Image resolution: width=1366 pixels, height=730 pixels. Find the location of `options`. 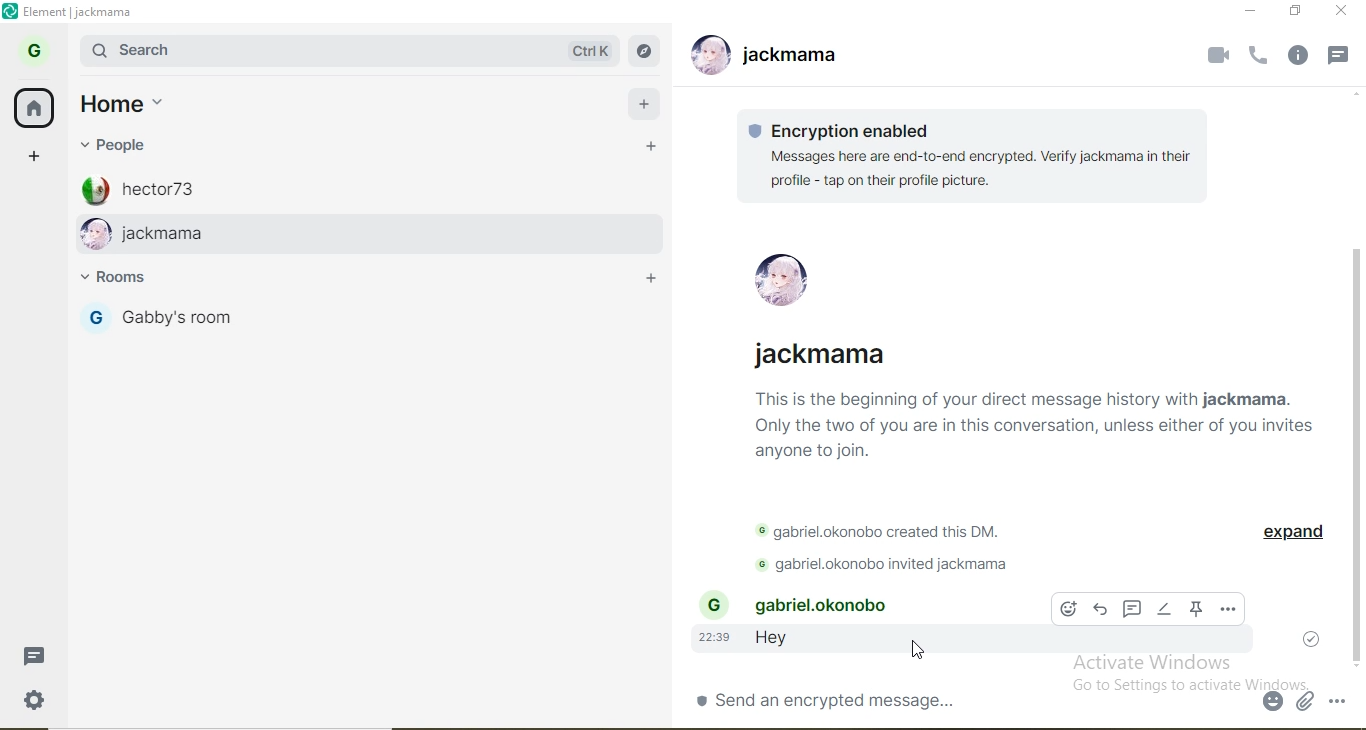

options is located at coordinates (1229, 608).